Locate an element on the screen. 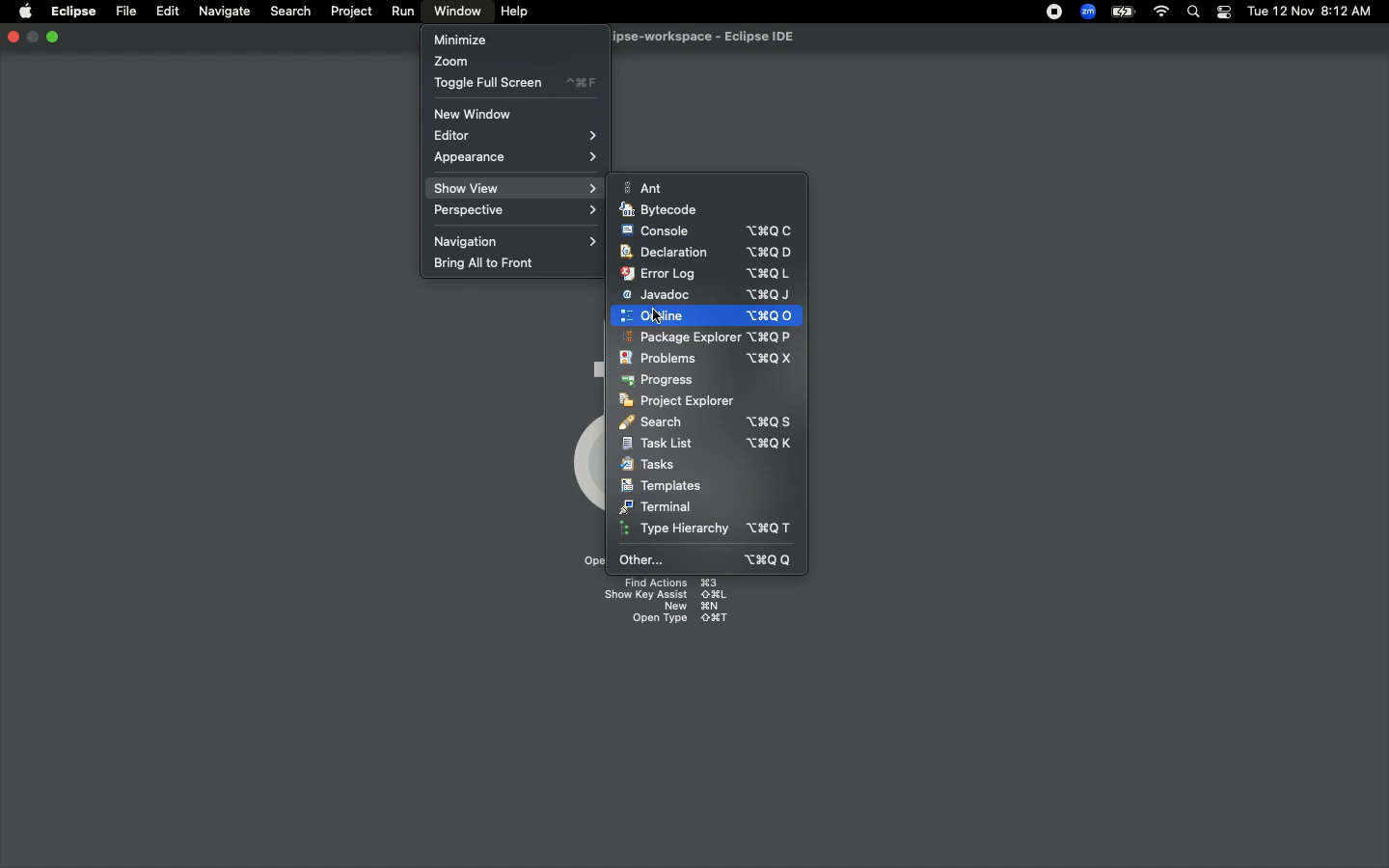 This screenshot has height=868, width=1389. Date/time is located at coordinates (1309, 11).